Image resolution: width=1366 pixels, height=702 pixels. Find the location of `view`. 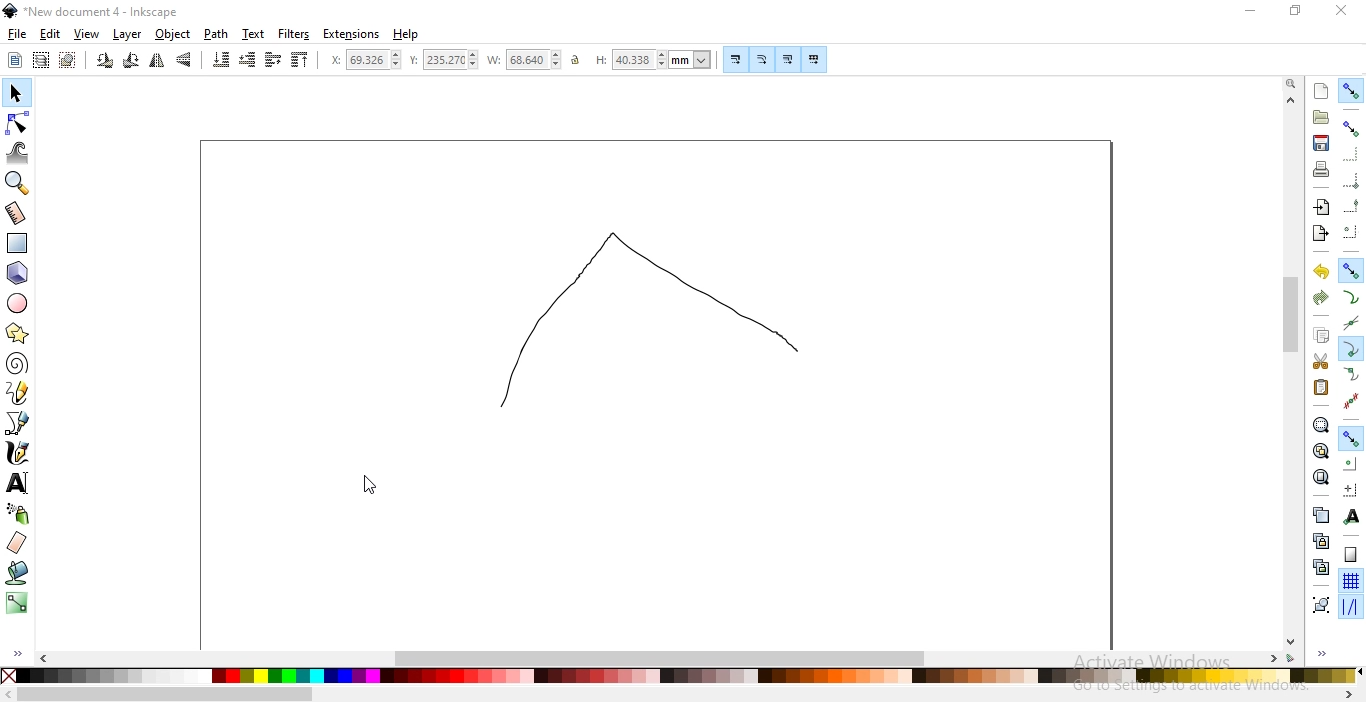

view is located at coordinates (87, 35).